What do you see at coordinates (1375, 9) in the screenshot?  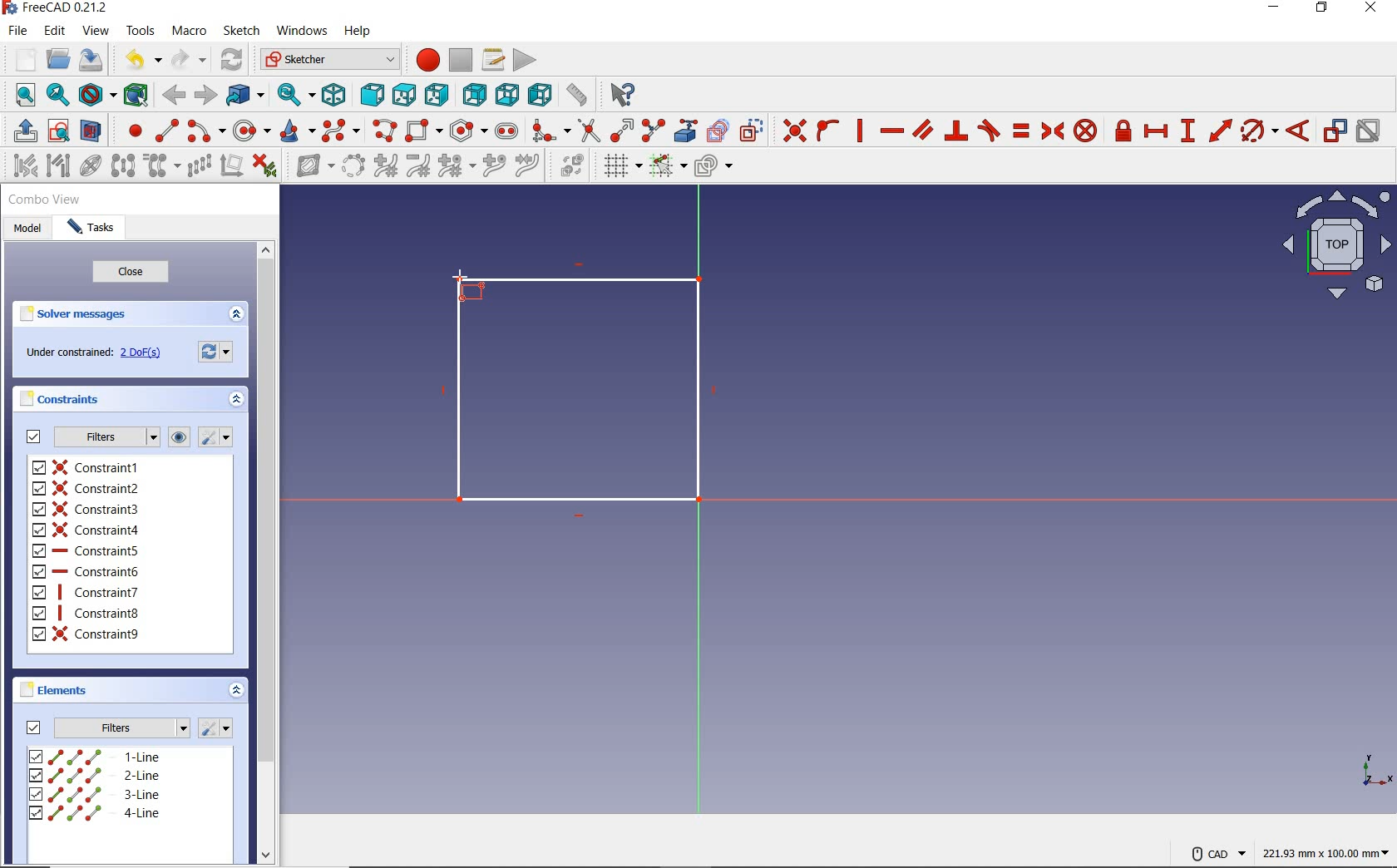 I see `close` at bounding box center [1375, 9].